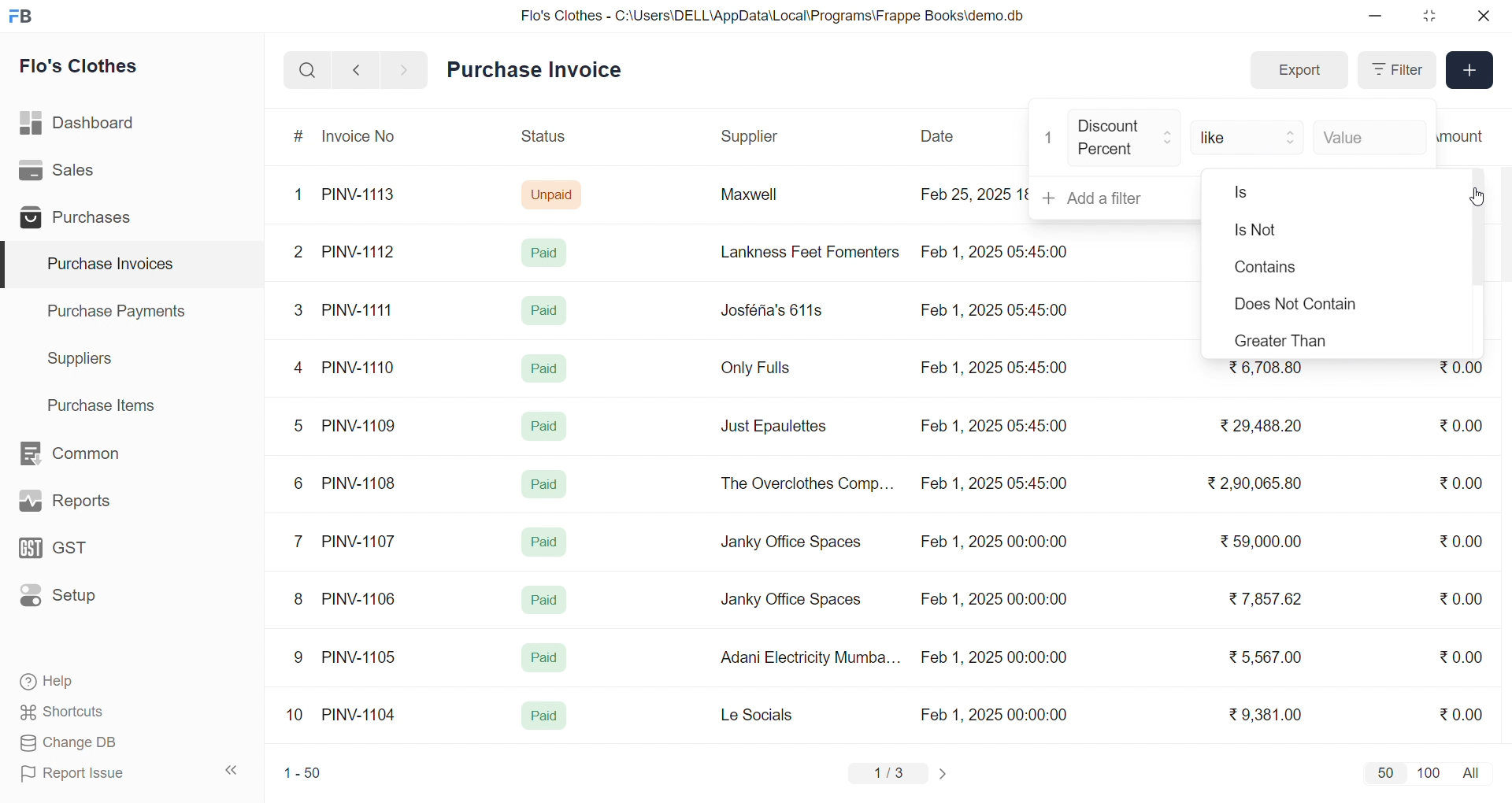  What do you see at coordinates (98, 683) in the screenshot?
I see `Help` at bounding box center [98, 683].